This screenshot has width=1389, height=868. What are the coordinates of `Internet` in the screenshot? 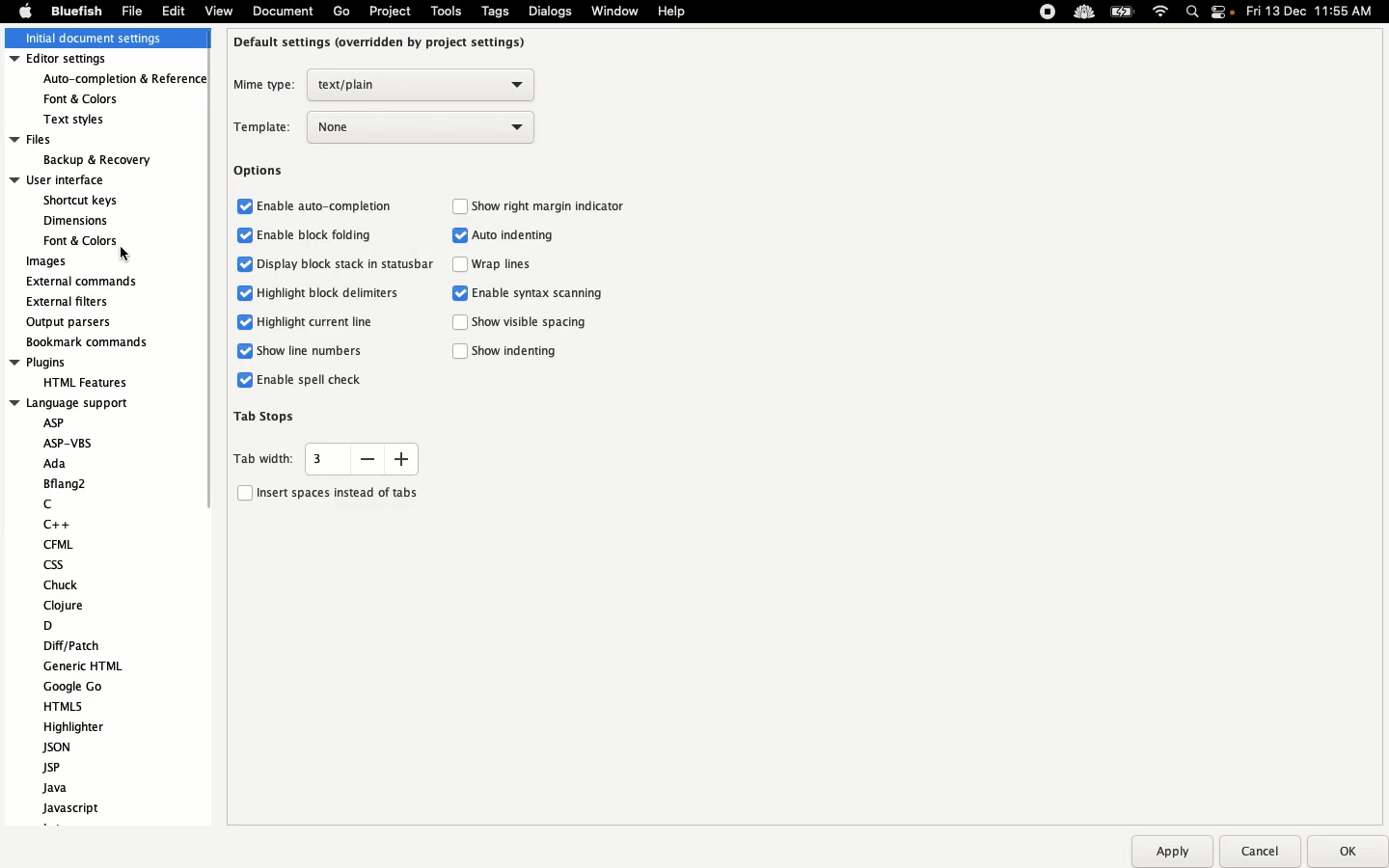 It's located at (1161, 13).